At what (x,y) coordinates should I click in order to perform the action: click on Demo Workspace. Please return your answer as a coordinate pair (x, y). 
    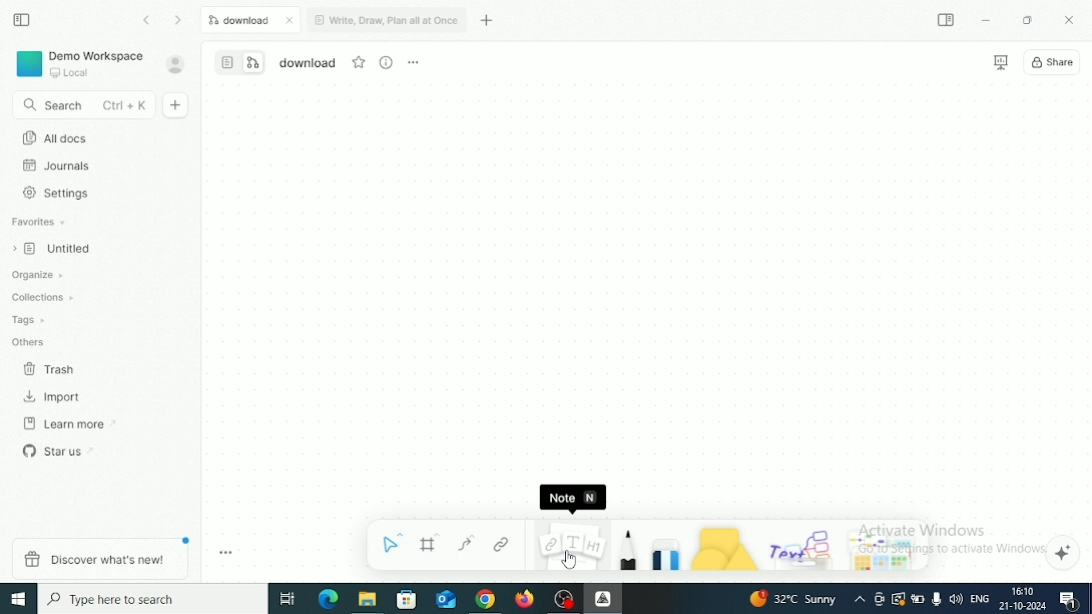
    Looking at the image, I should click on (79, 65).